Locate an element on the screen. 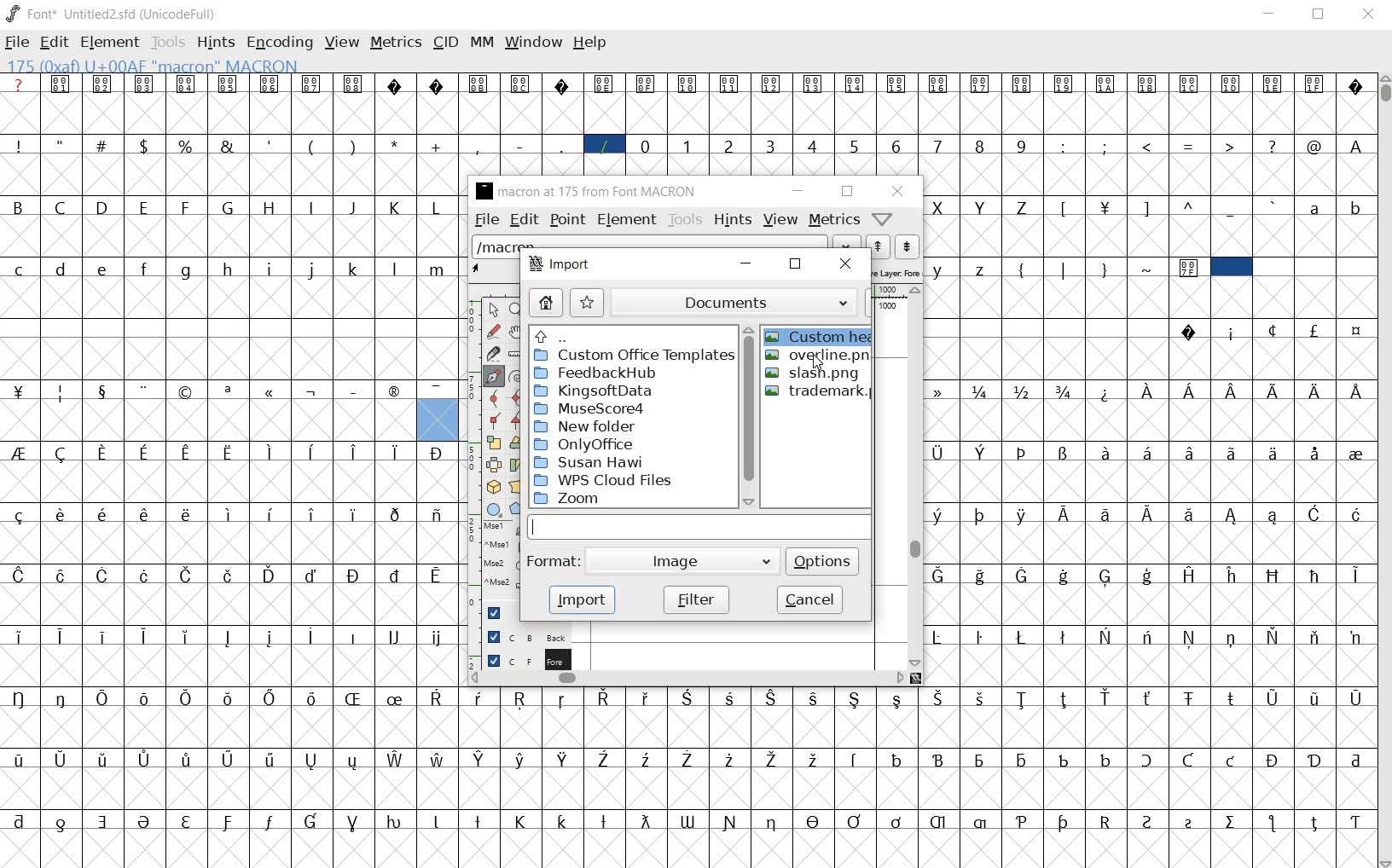 The image size is (1392, 868). maximize is located at coordinates (796, 265).